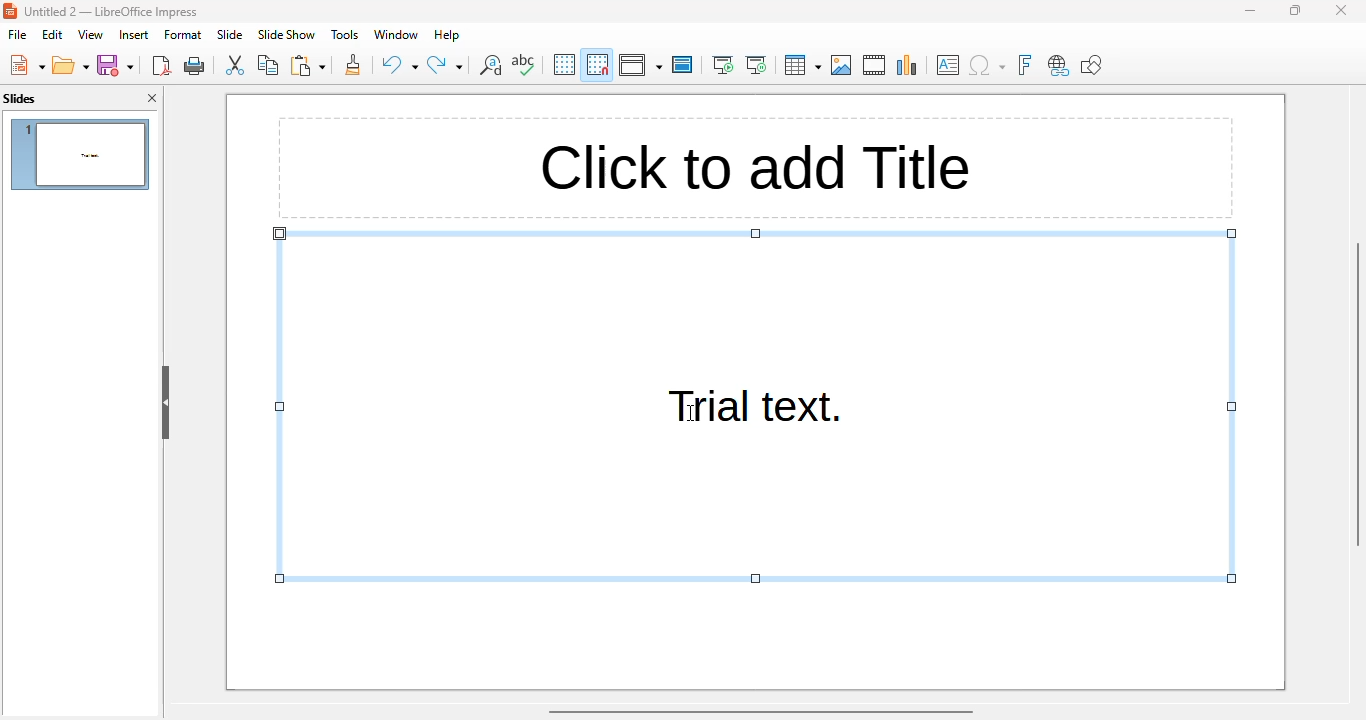 Image resolution: width=1366 pixels, height=720 pixels. What do you see at coordinates (1025, 65) in the screenshot?
I see `insert fontwork text` at bounding box center [1025, 65].